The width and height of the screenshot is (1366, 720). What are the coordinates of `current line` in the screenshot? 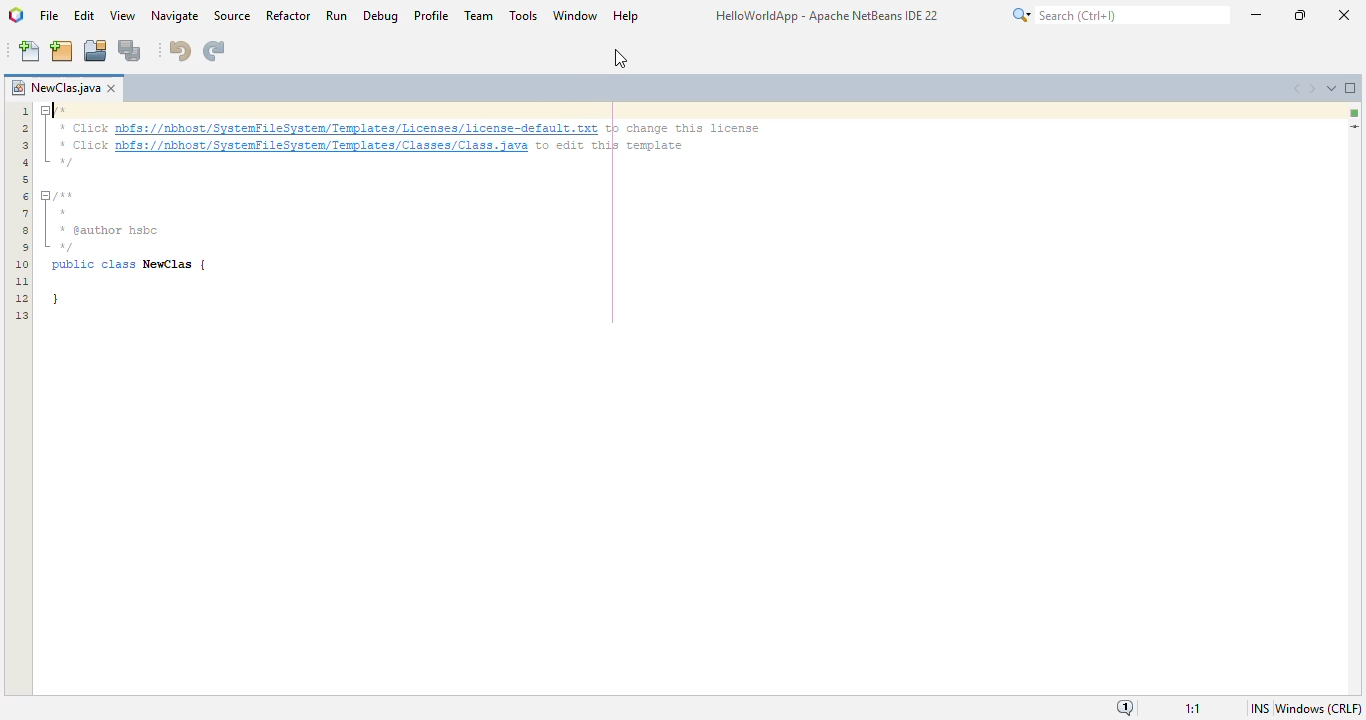 It's located at (1354, 126).